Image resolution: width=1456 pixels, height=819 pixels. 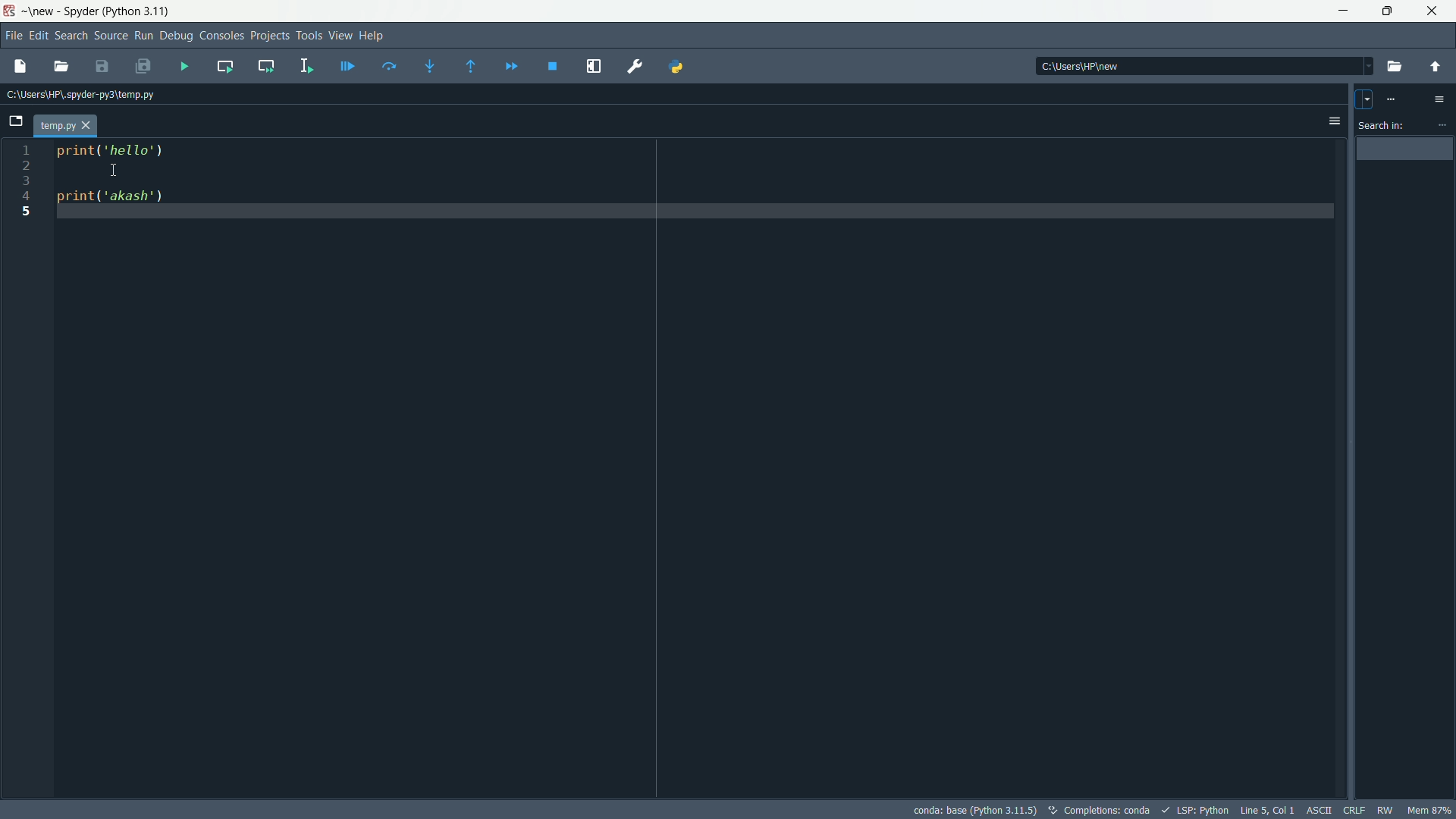 I want to click on Spyder(Python 3.11), so click(x=101, y=11).